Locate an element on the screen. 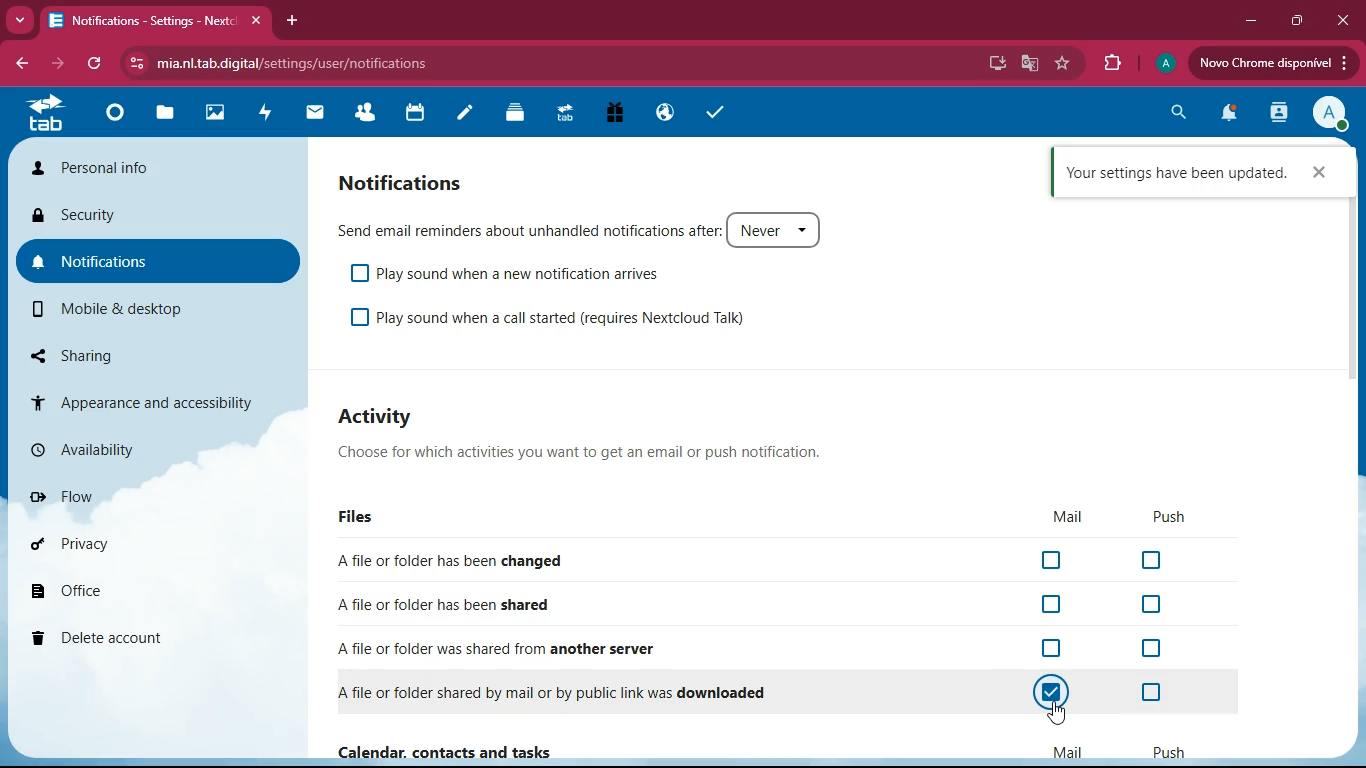 The image size is (1366, 768). tab is located at coordinates (44, 116).